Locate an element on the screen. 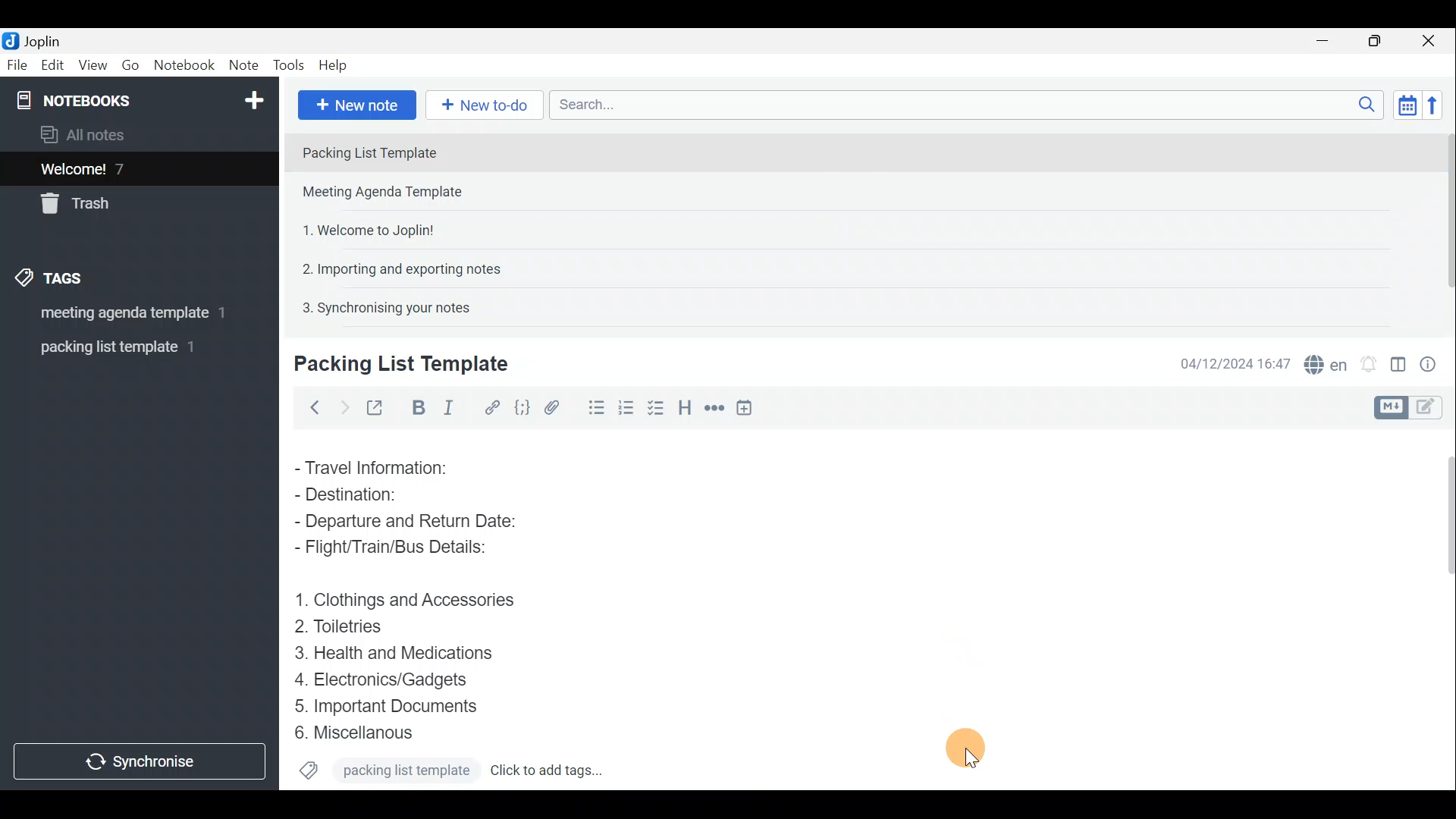 Image resolution: width=1456 pixels, height=819 pixels. Synchronise is located at coordinates (141, 761).